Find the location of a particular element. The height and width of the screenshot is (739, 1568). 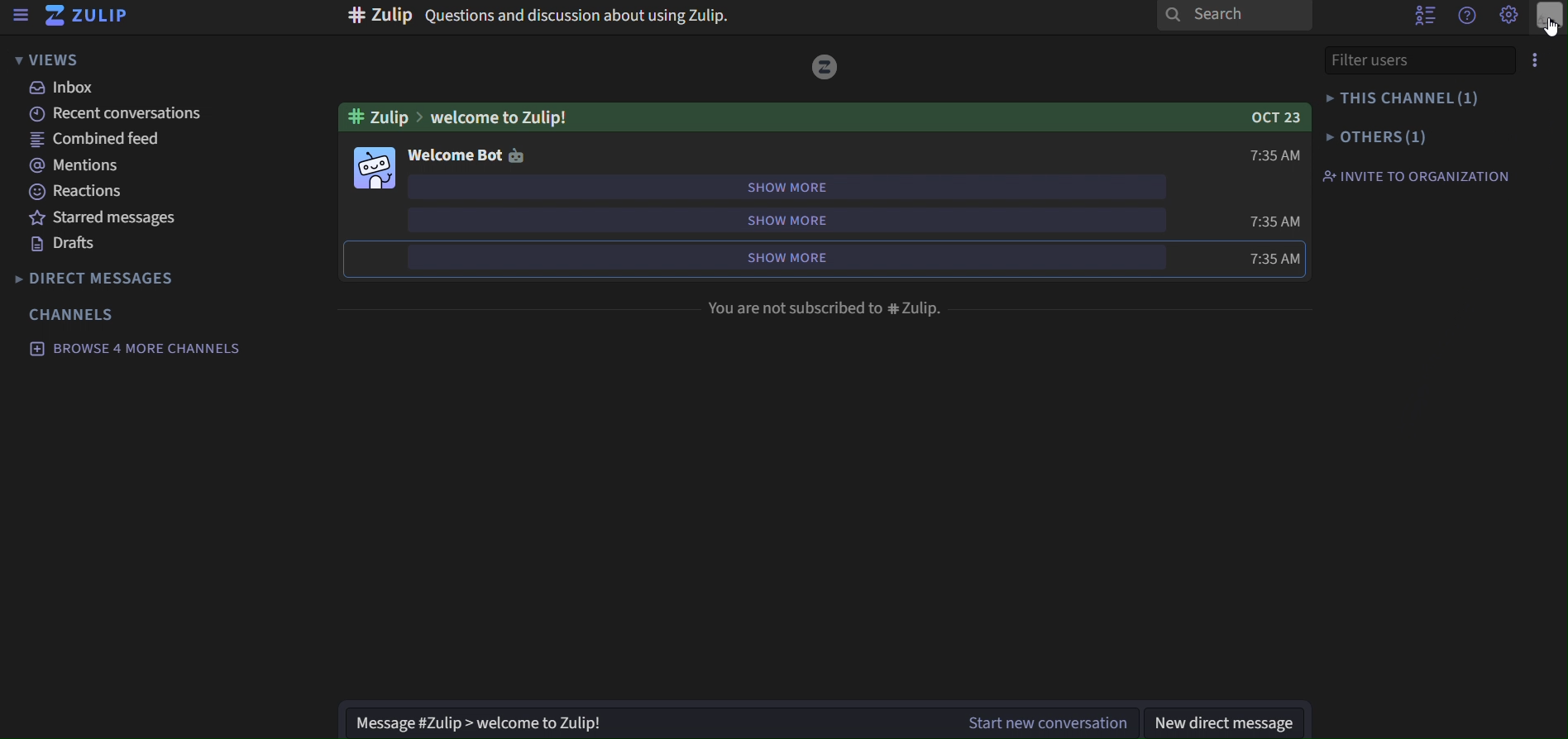

browse 4 more channels is located at coordinates (138, 348).